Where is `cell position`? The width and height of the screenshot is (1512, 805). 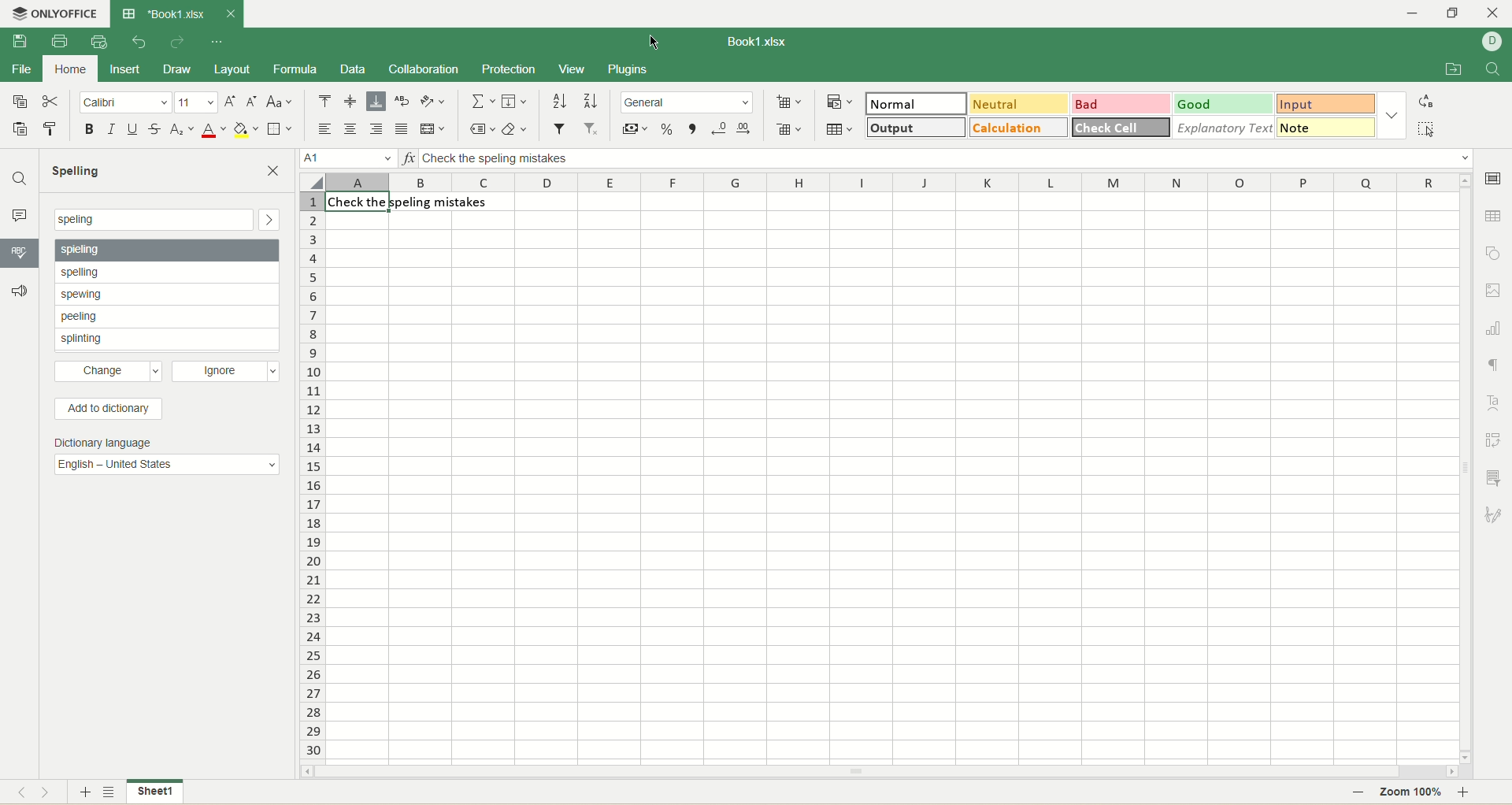 cell position is located at coordinates (352, 160).